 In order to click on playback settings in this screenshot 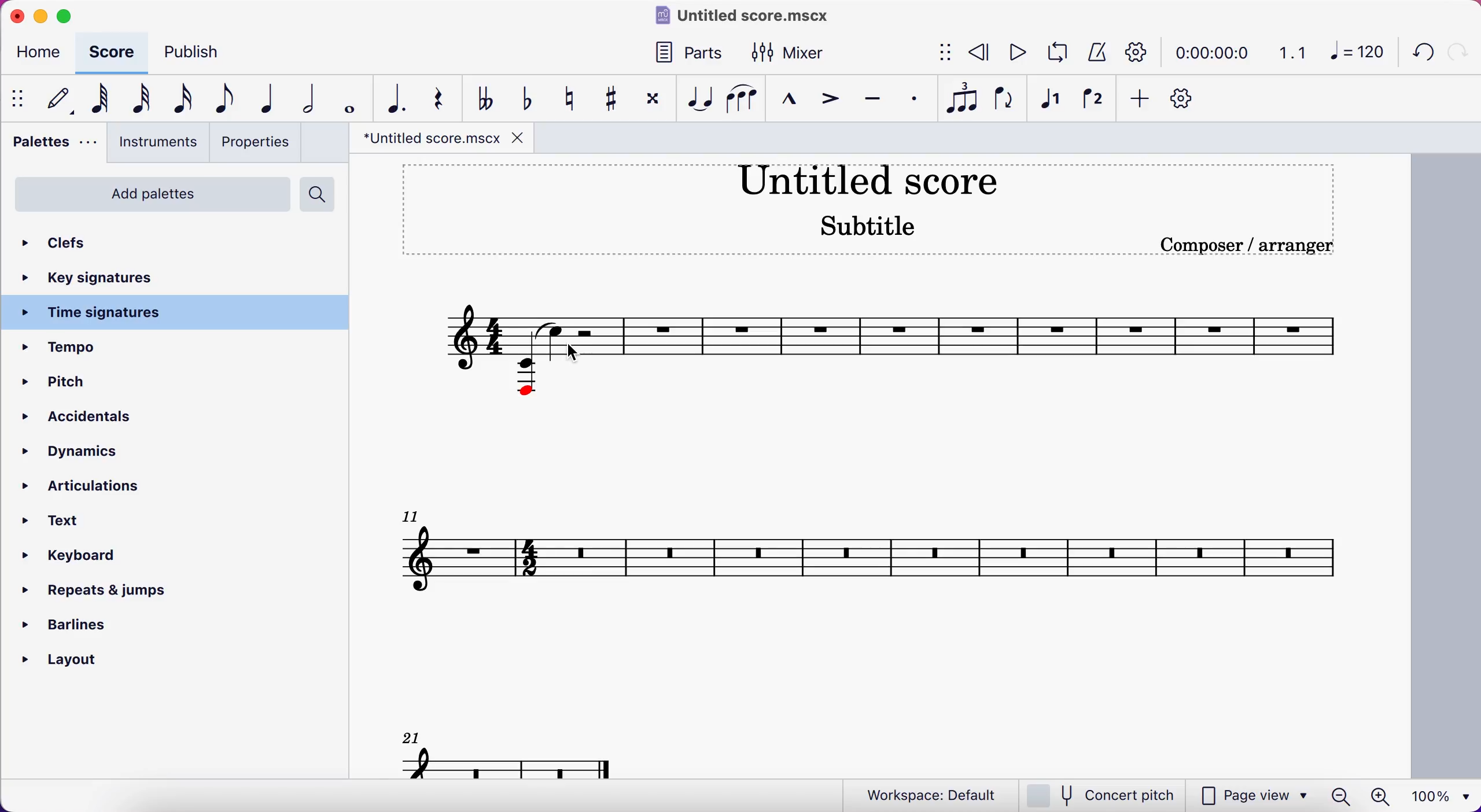, I will do `click(1137, 51)`.